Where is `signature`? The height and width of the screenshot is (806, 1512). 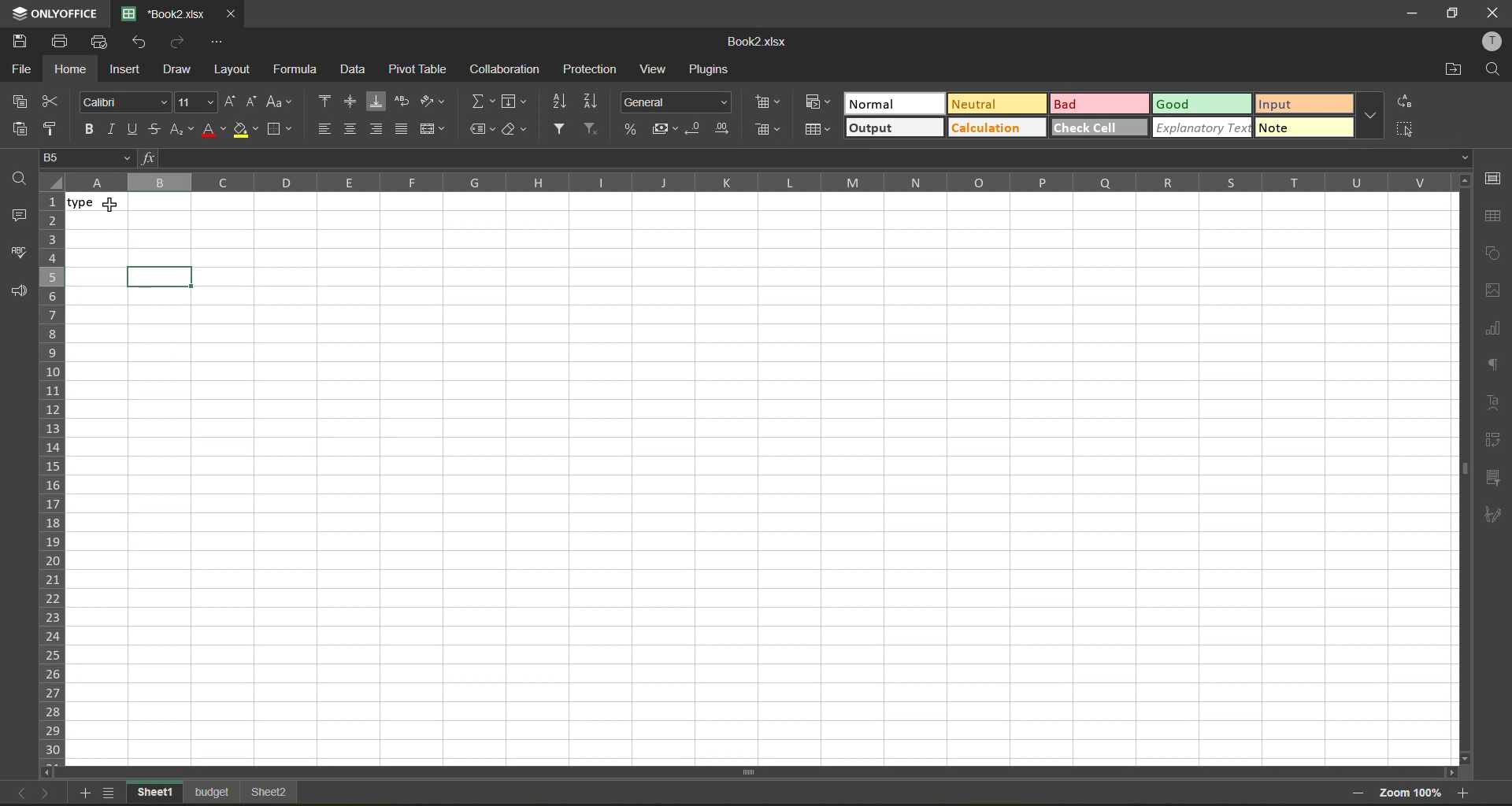
signature is located at coordinates (1494, 516).